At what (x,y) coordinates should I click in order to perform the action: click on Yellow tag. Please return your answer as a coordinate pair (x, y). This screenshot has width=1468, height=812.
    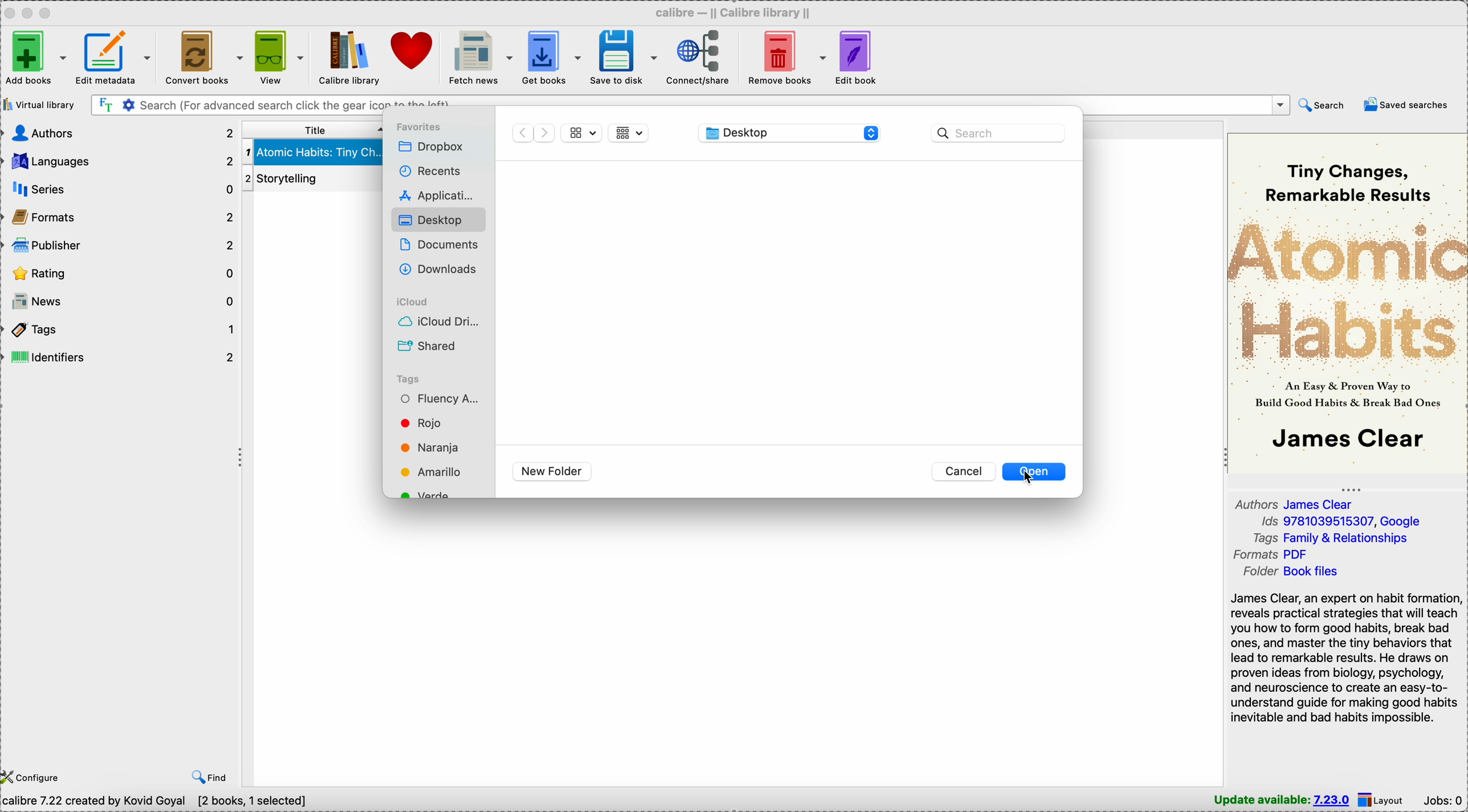
    Looking at the image, I should click on (429, 475).